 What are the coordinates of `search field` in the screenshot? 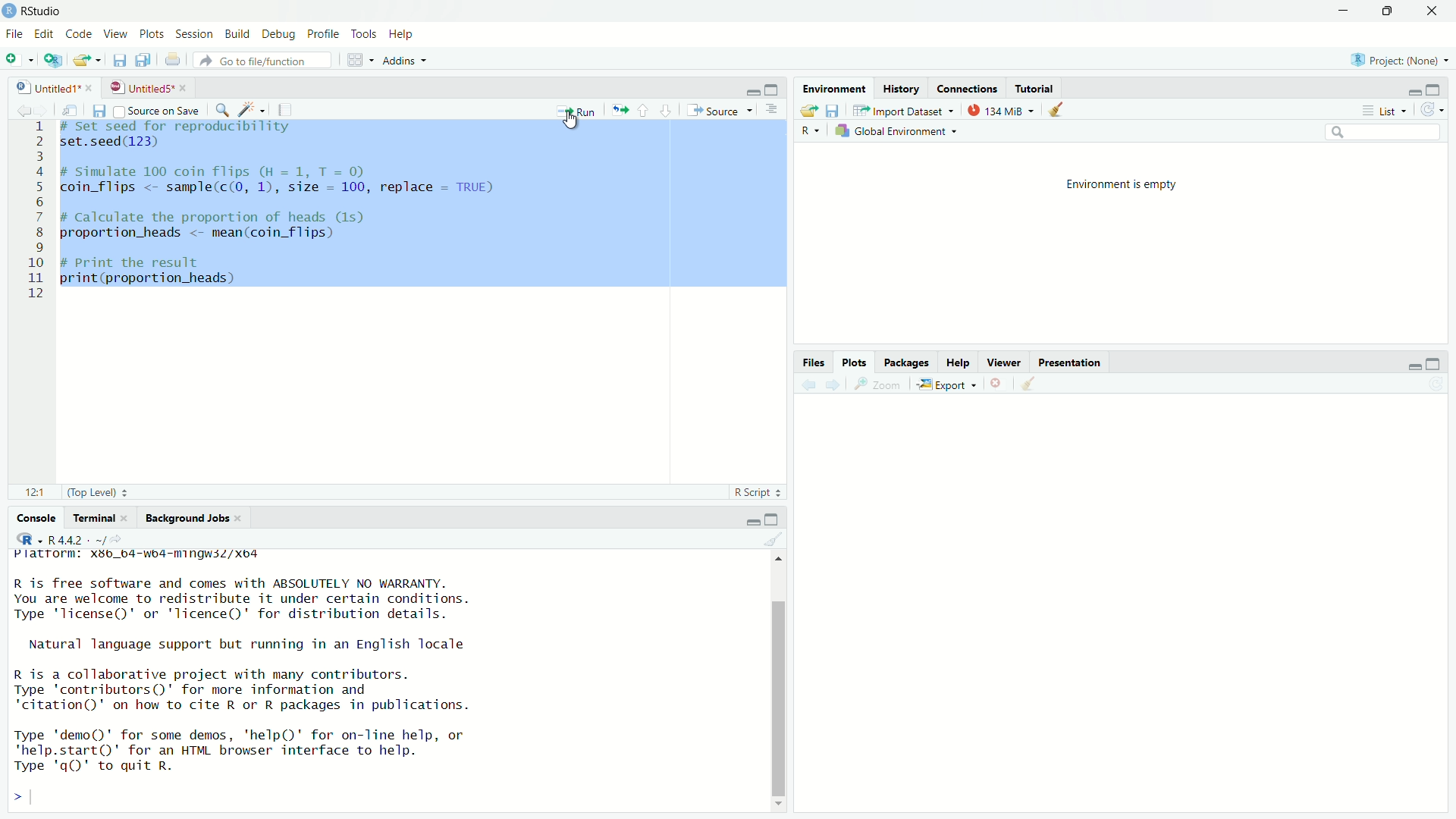 It's located at (1384, 131).